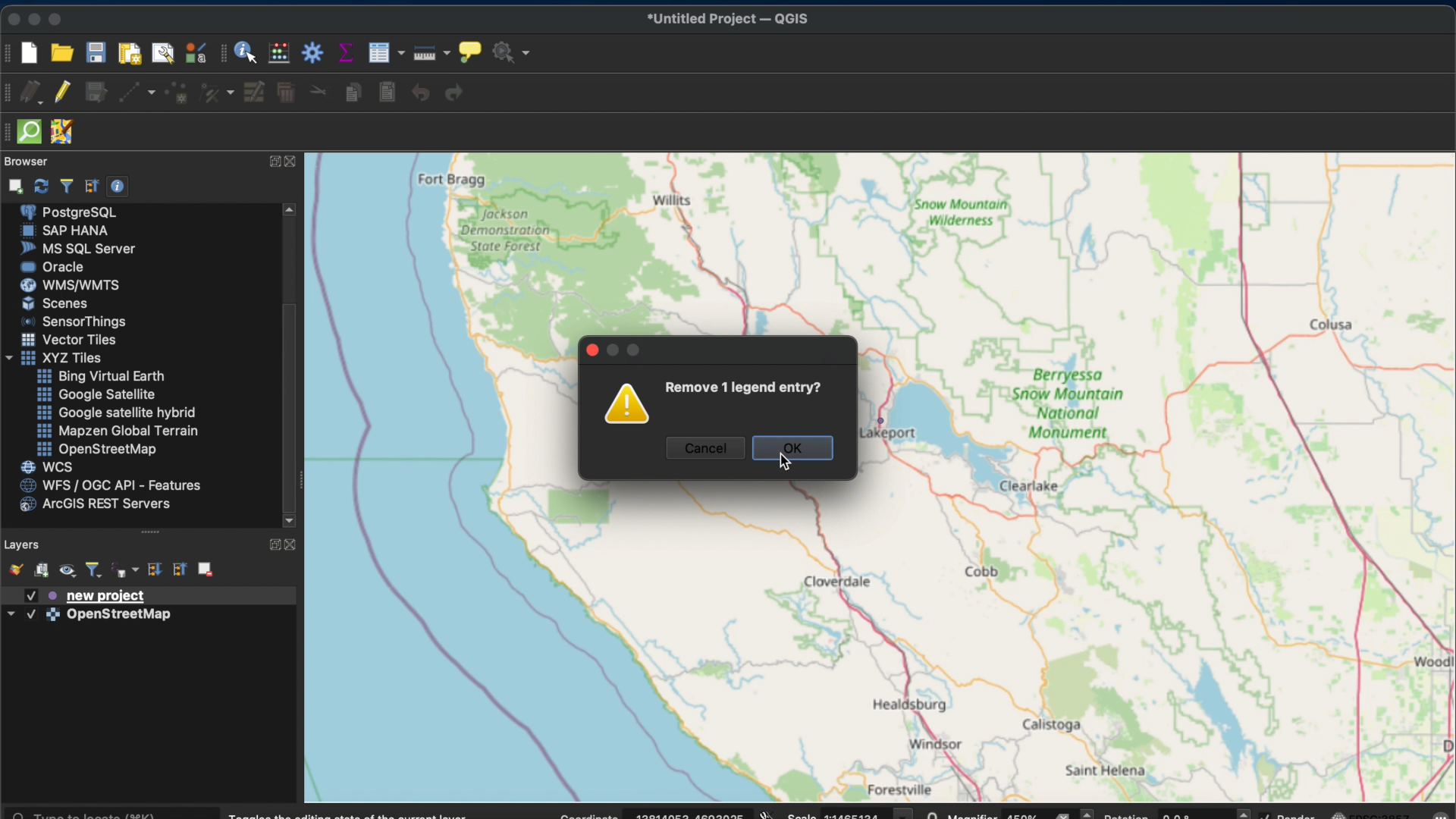 The image size is (1456, 819). Describe the element at coordinates (71, 211) in the screenshot. I see `postergre sql` at that location.